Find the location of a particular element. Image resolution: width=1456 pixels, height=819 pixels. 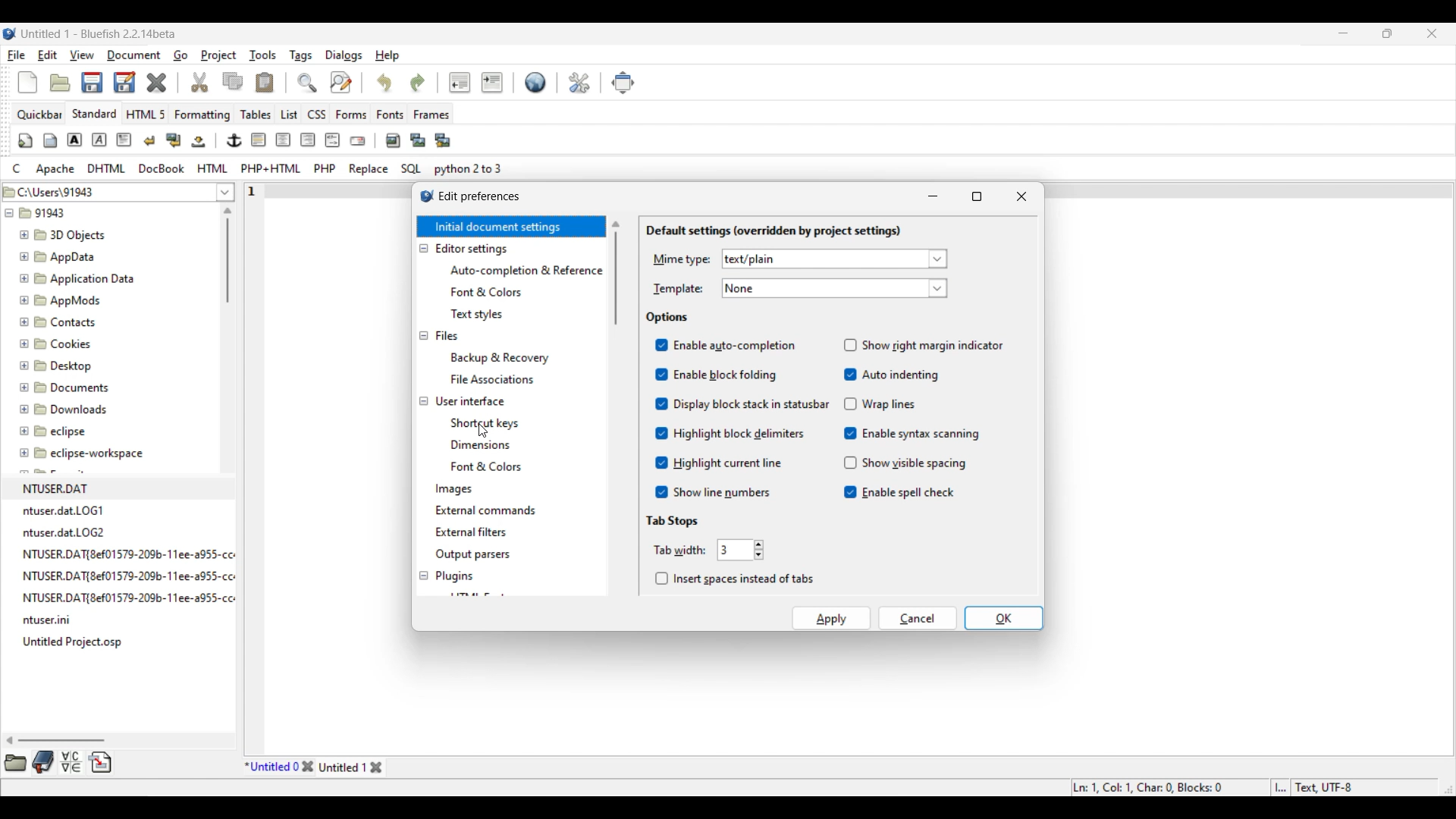

Desktop is located at coordinates (64, 363).